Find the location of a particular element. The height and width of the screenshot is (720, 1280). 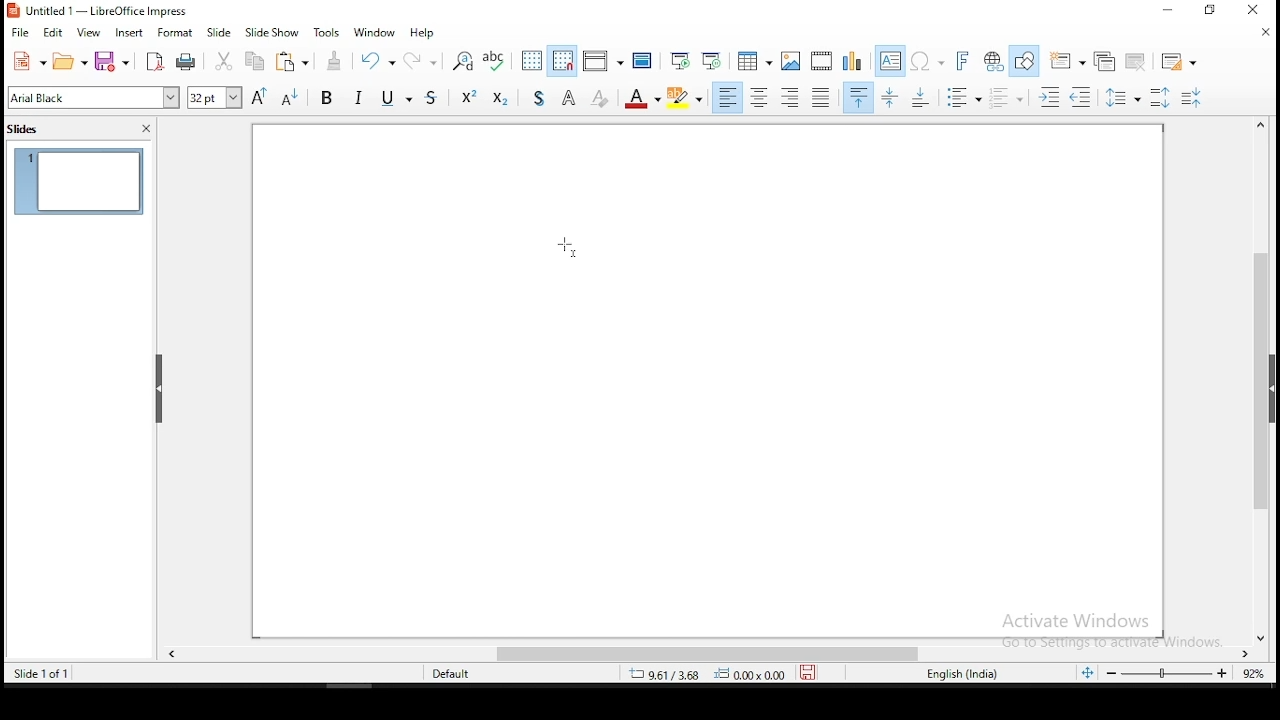

Dimensions is located at coordinates (707, 673).